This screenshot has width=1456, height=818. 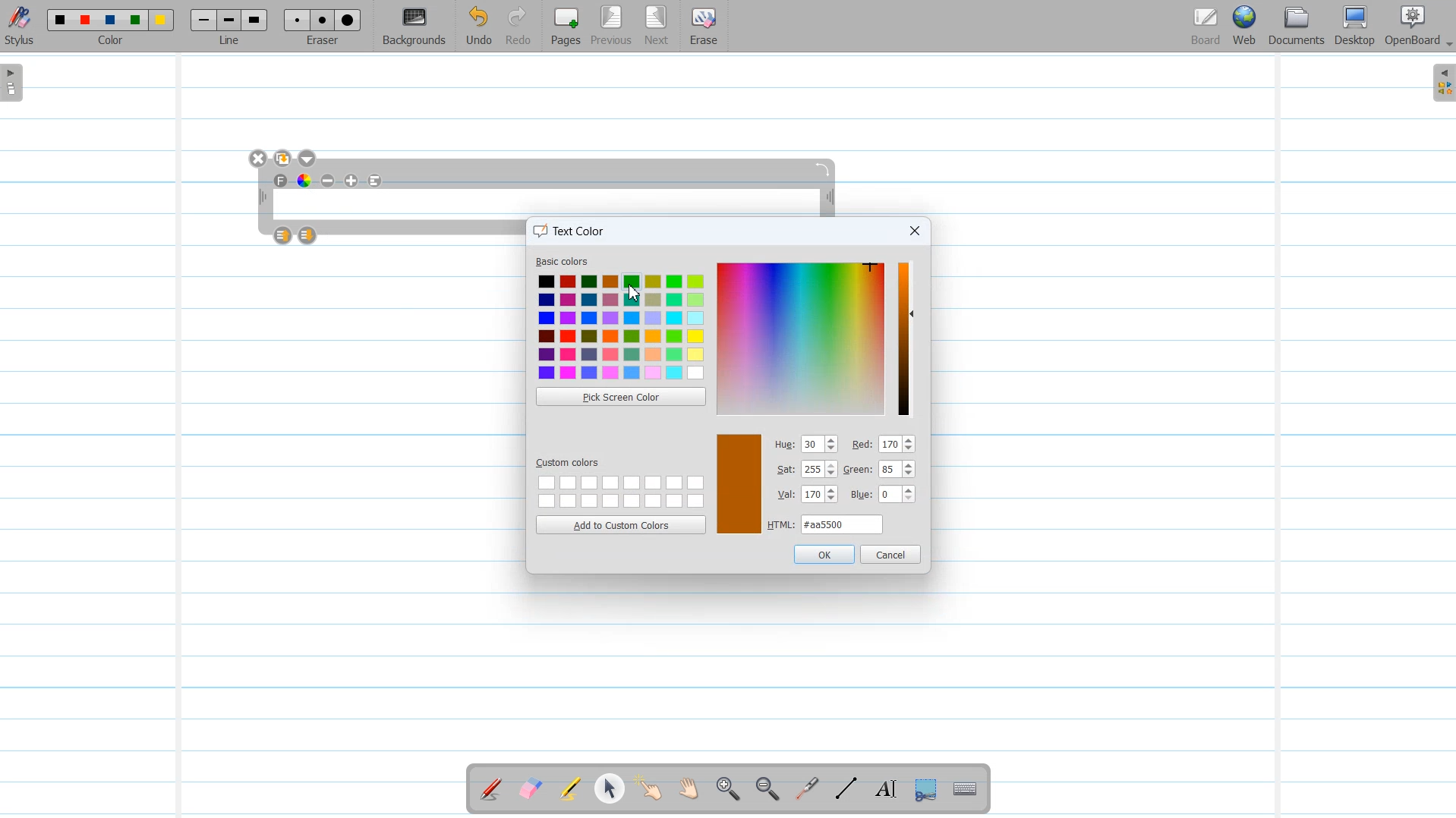 I want to click on Pick Screen color, so click(x=620, y=396).